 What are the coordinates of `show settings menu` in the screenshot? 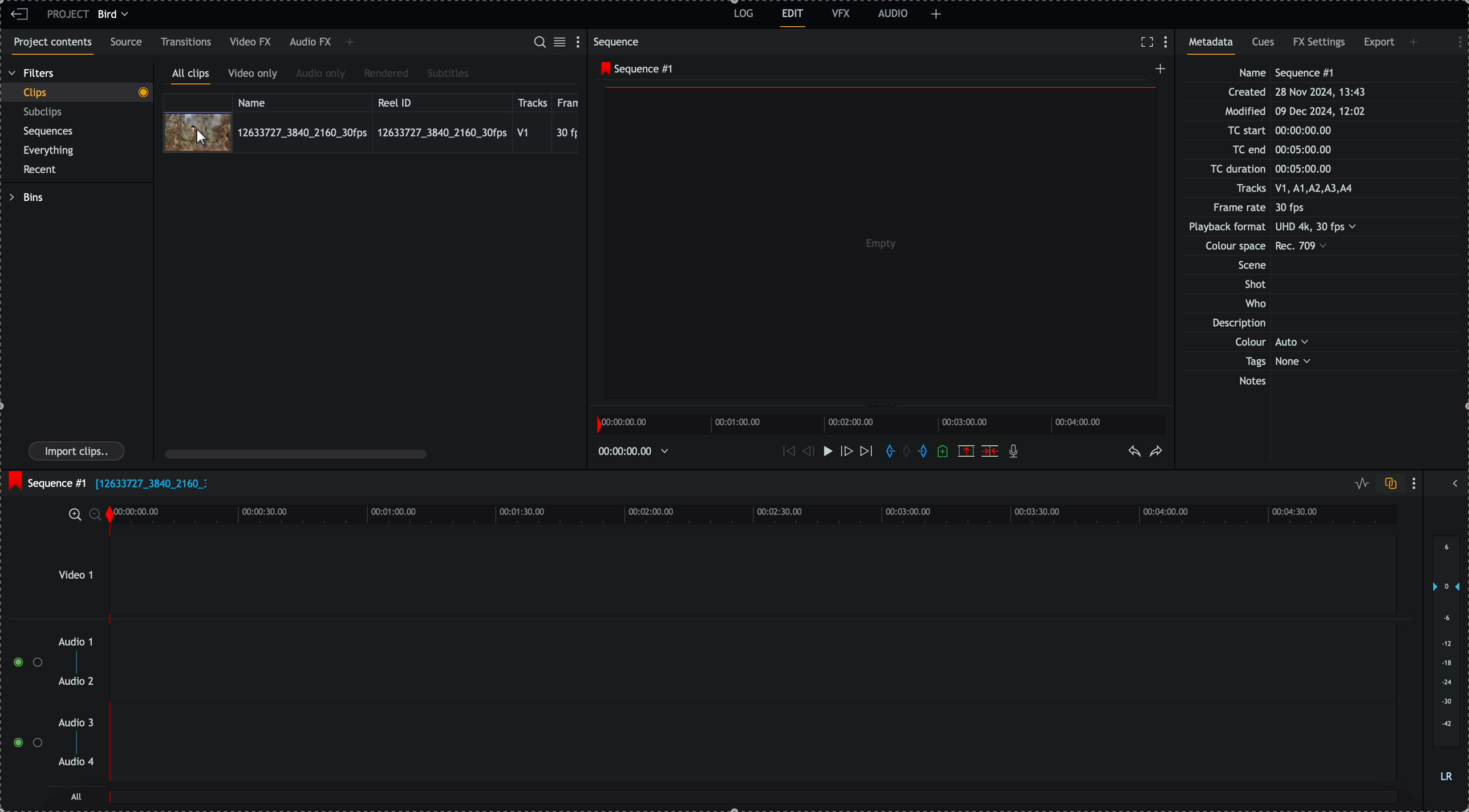 It's located at (1417, 483).